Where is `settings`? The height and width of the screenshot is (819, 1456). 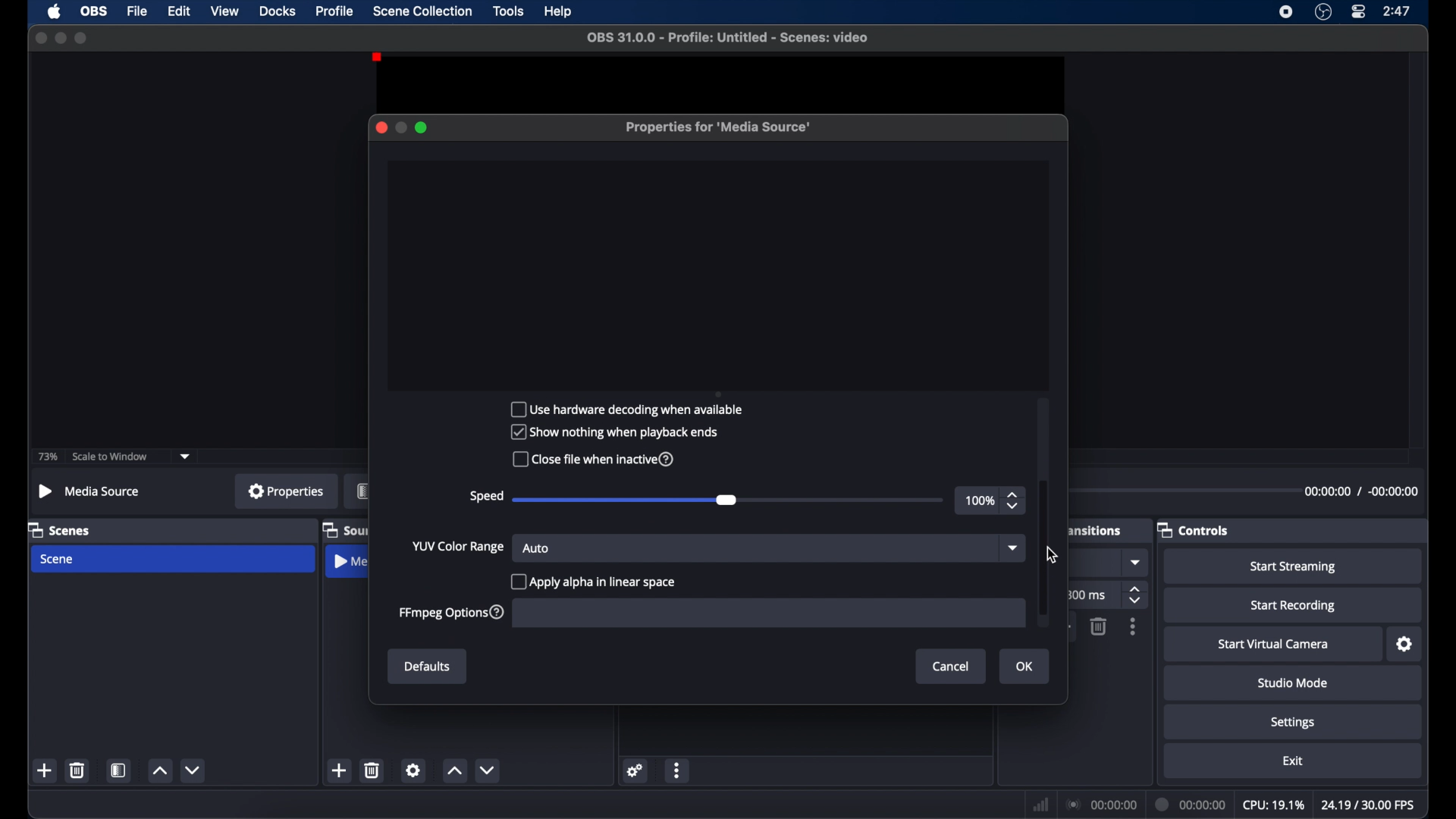
settings is located at coordinates (636, 770).